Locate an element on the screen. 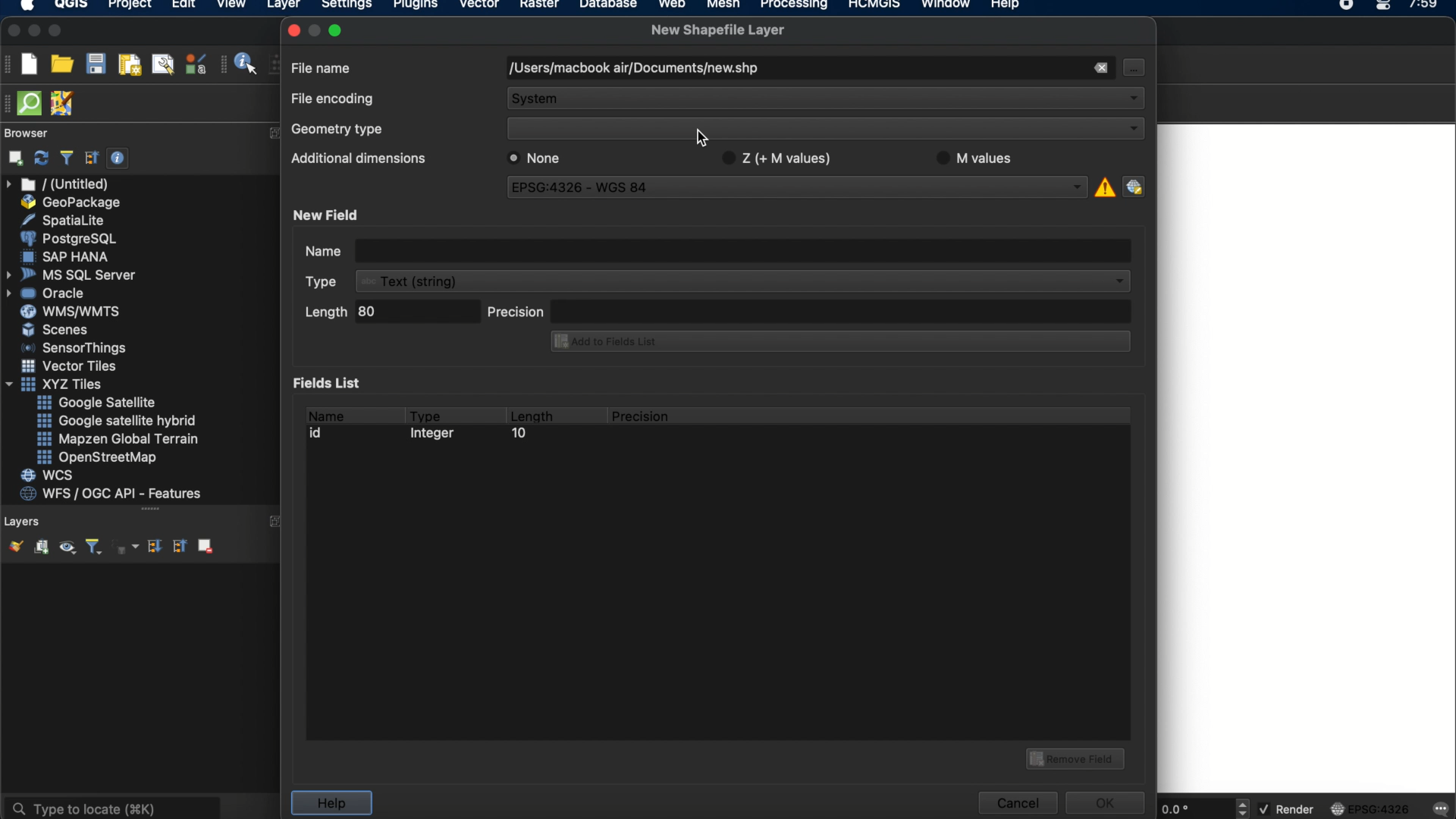 This screenshot has height=819, width=1456. text dropdown menu is located at coordinates (720, 281).